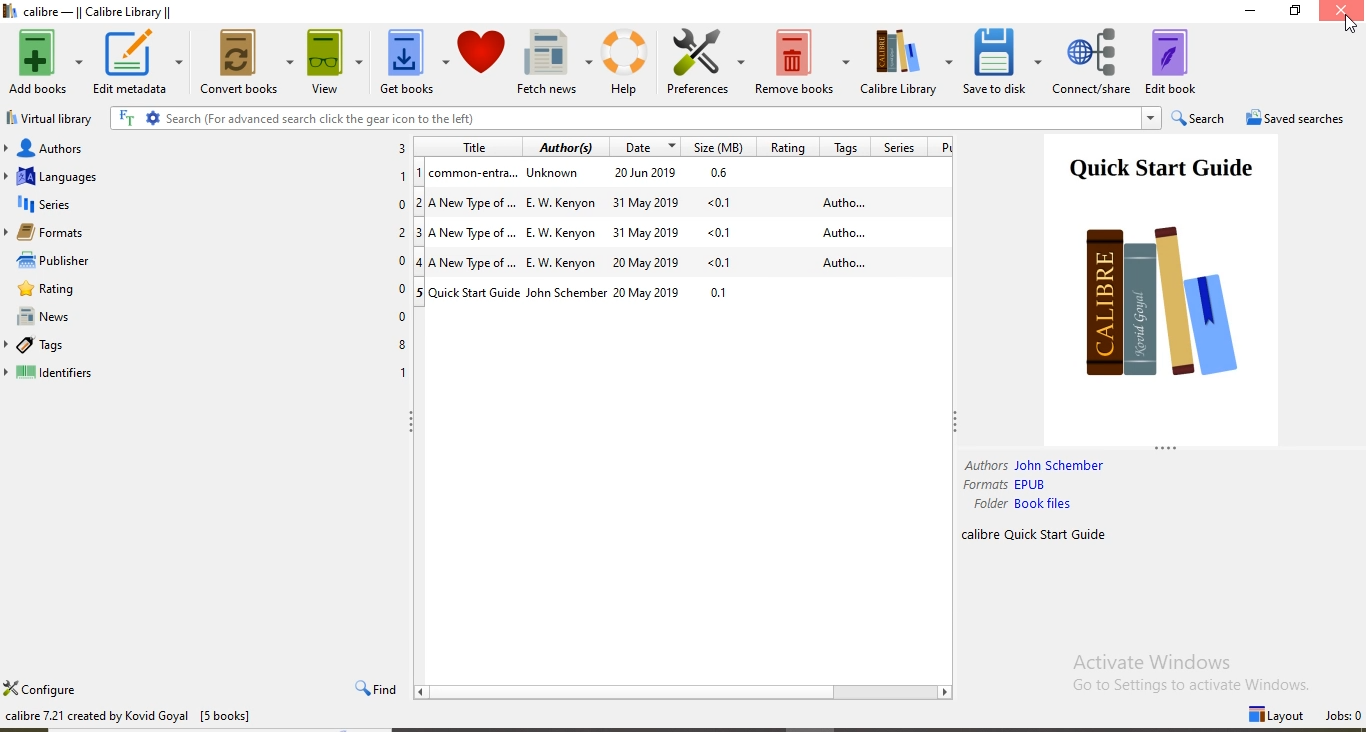  I want to click on Donate to s...., so click(482, 63).